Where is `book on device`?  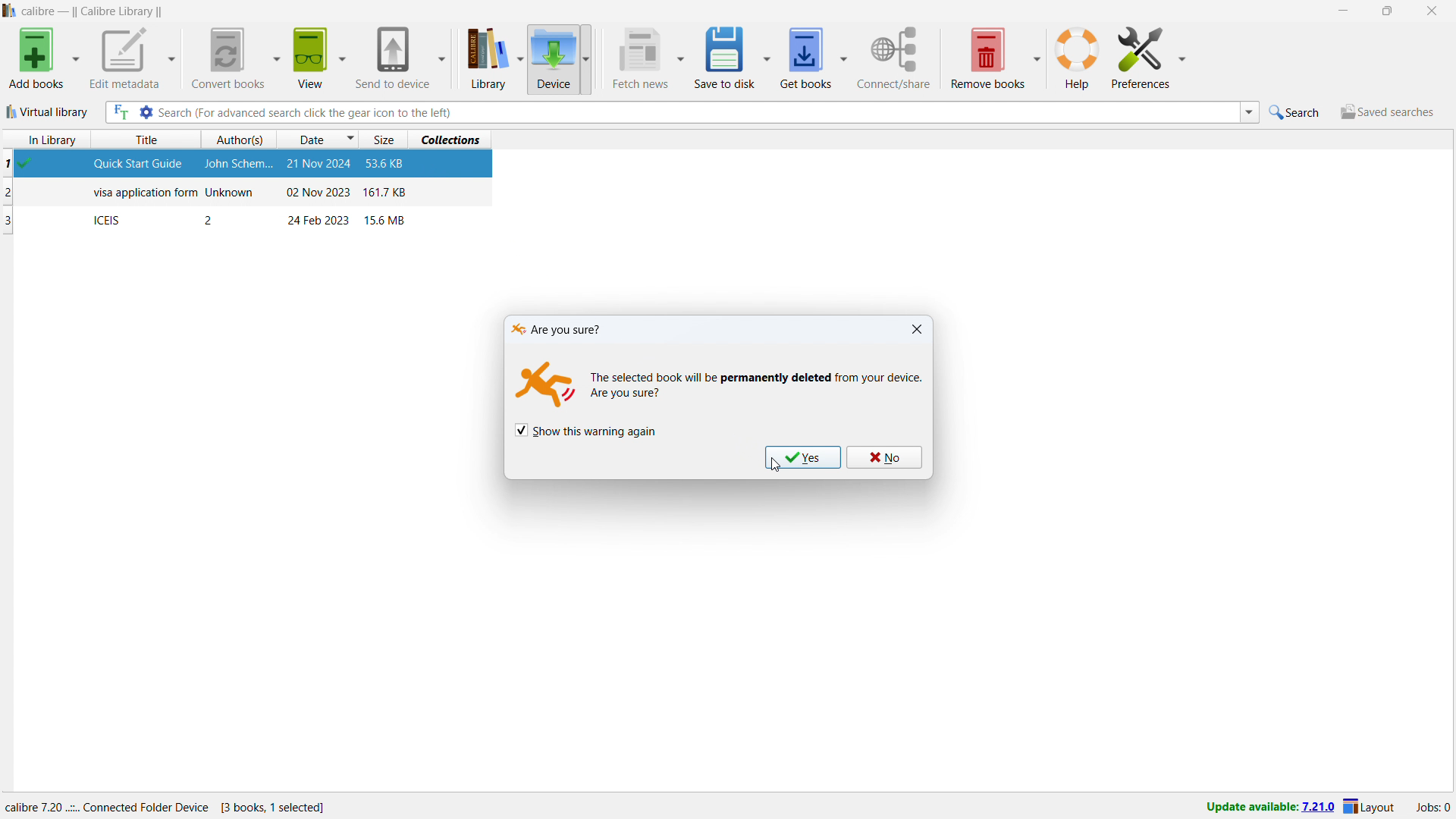 book on device is located at coordinates (249, 193).